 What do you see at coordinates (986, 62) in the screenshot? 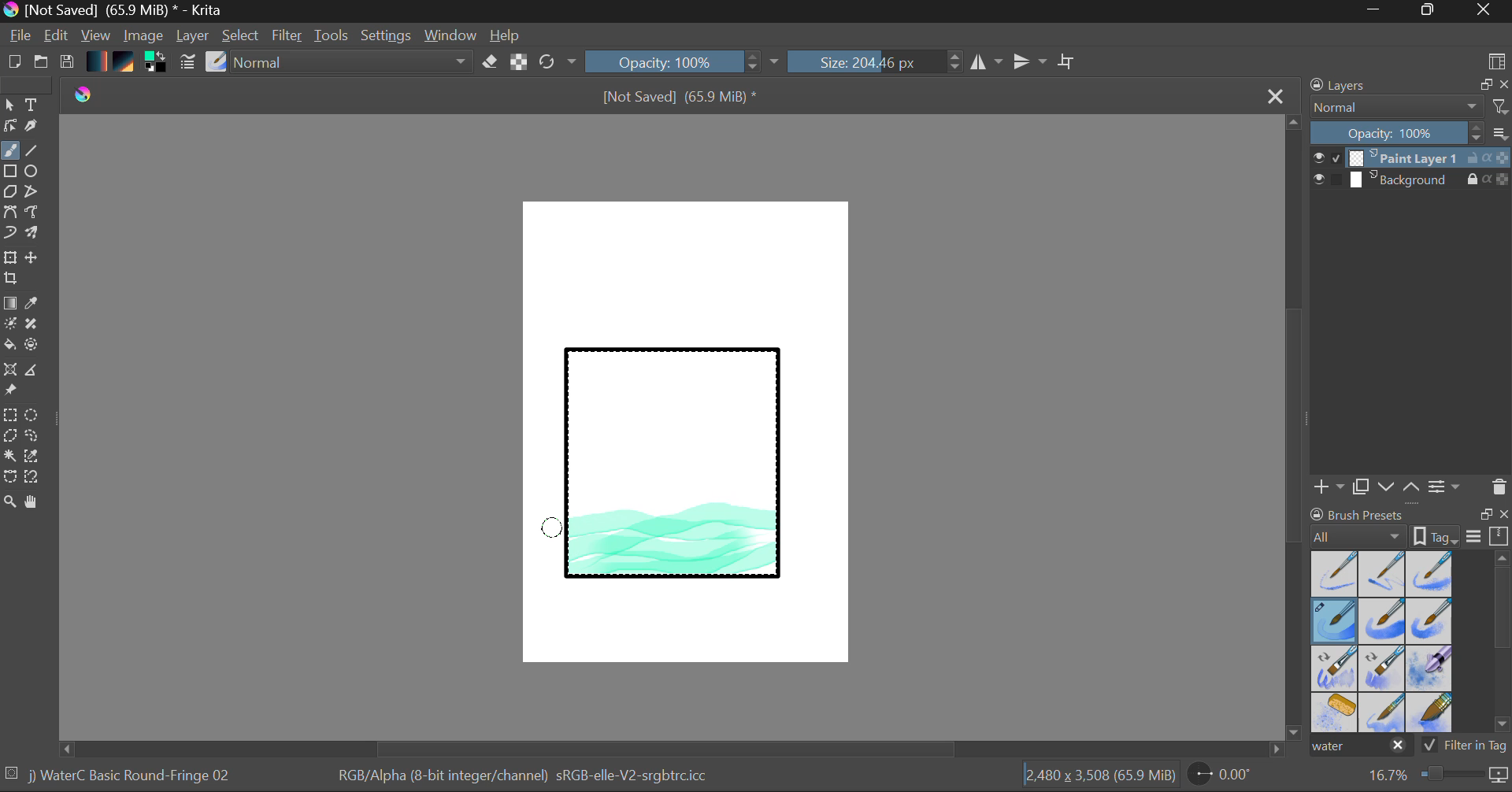
I see `Vertical Mirror Flip` at bounding box center [986, 62].